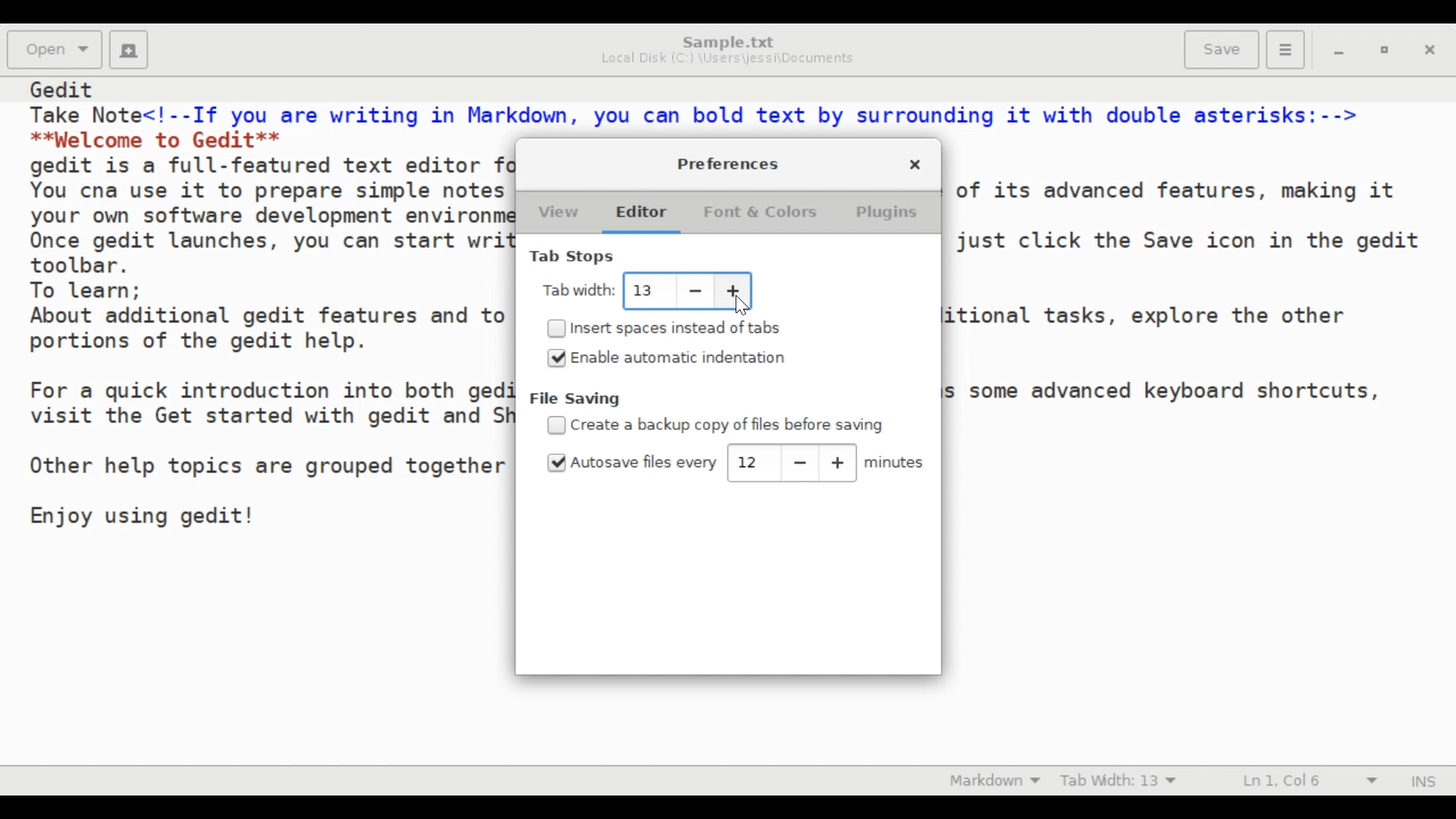  I want to click on Plugins, so click(893, 214).